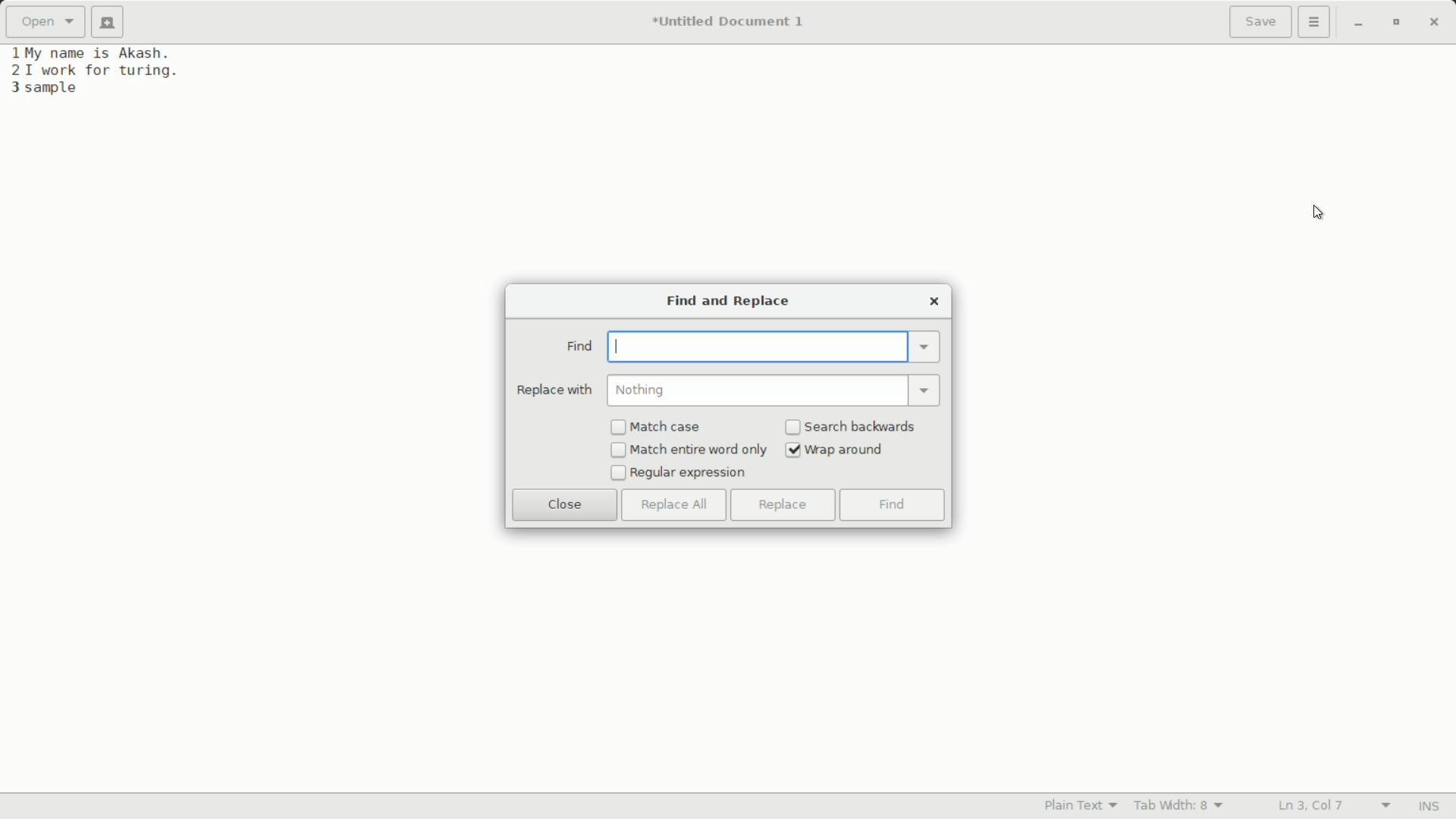  Describe the element at coordinates (862, 426) in the screenshot. I see `search backwards` at that location.